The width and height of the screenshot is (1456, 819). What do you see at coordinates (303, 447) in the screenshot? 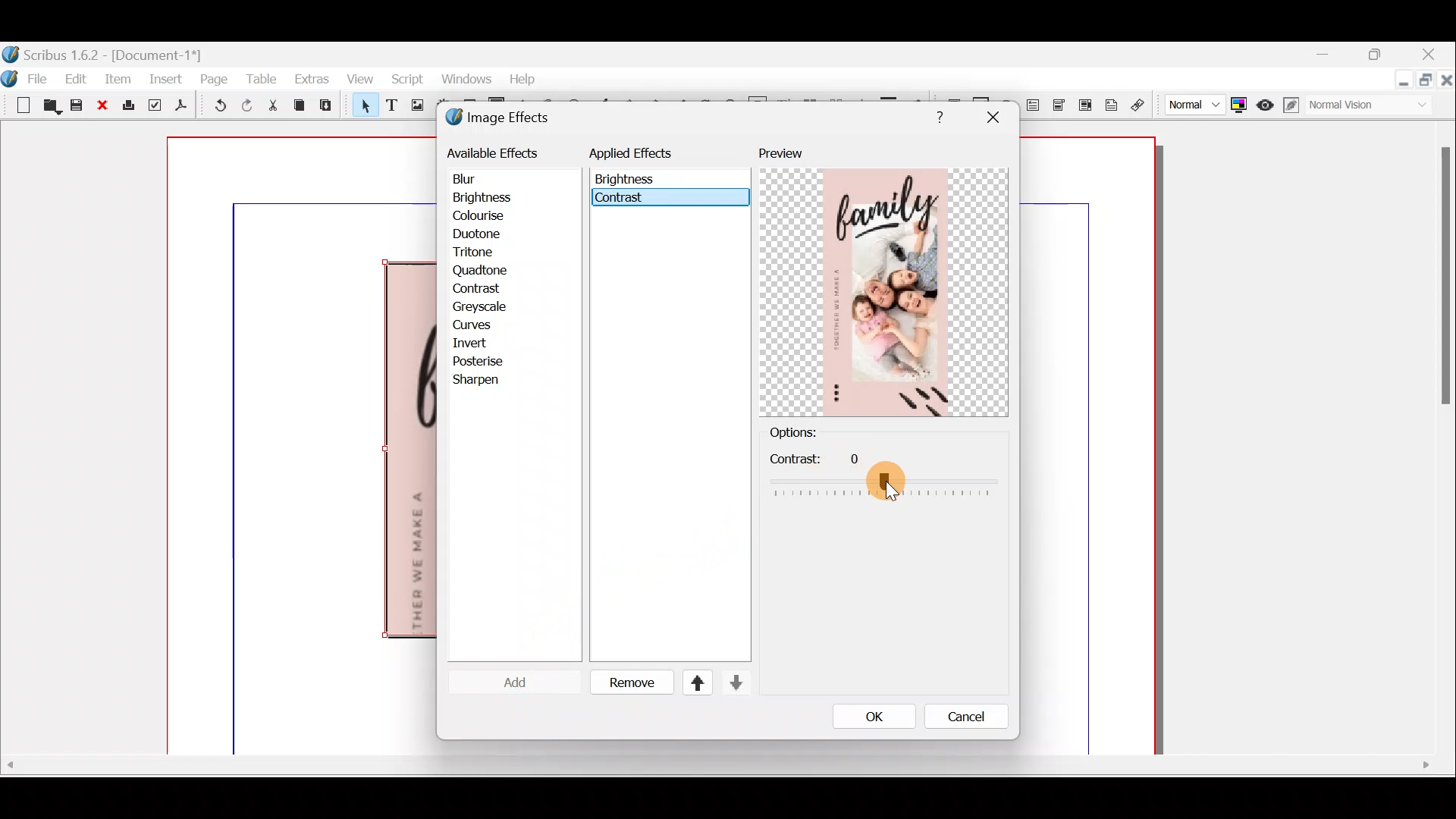
I see `Canvas` at bounding box center [303, 447].